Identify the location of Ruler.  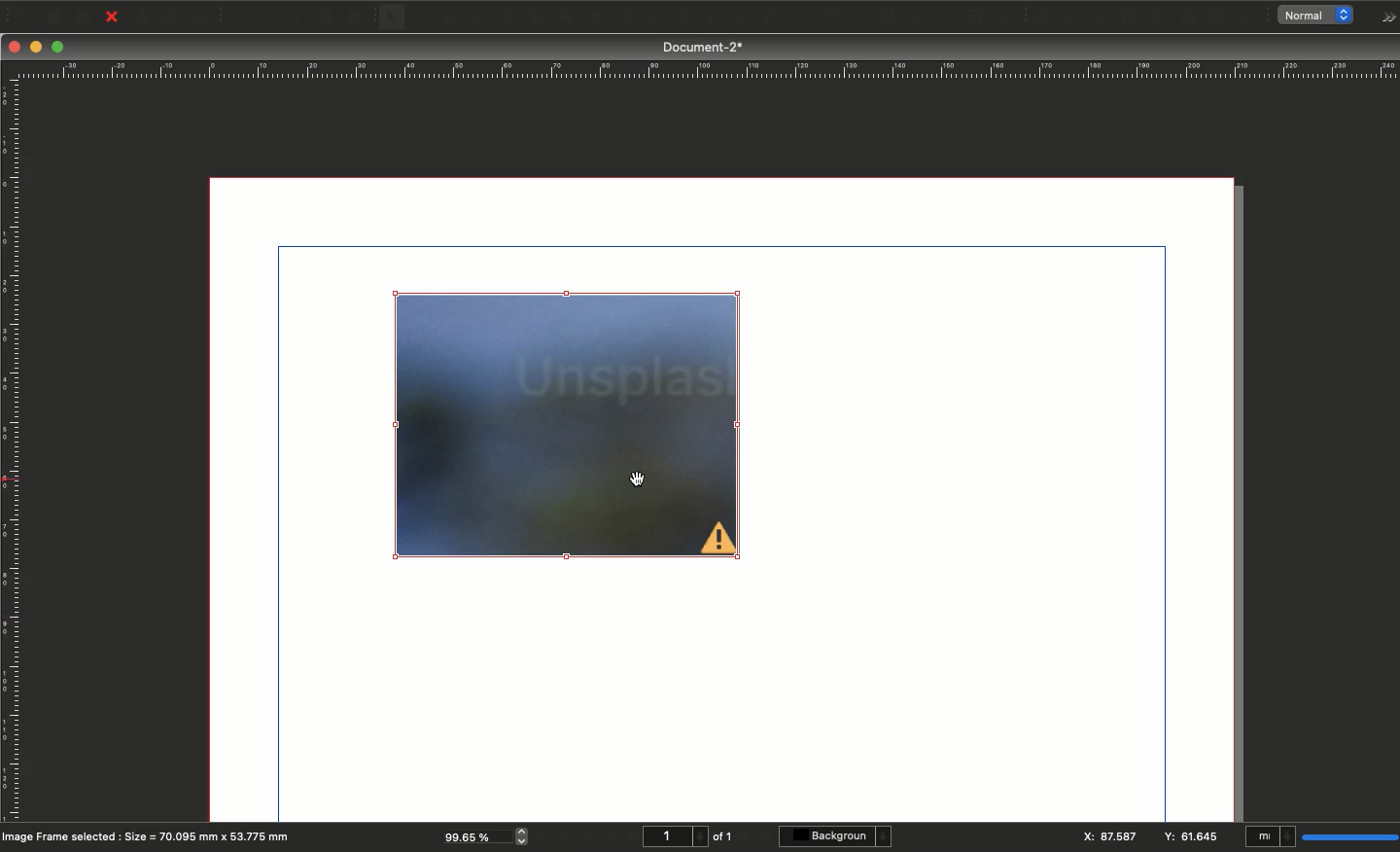
(13, 440).